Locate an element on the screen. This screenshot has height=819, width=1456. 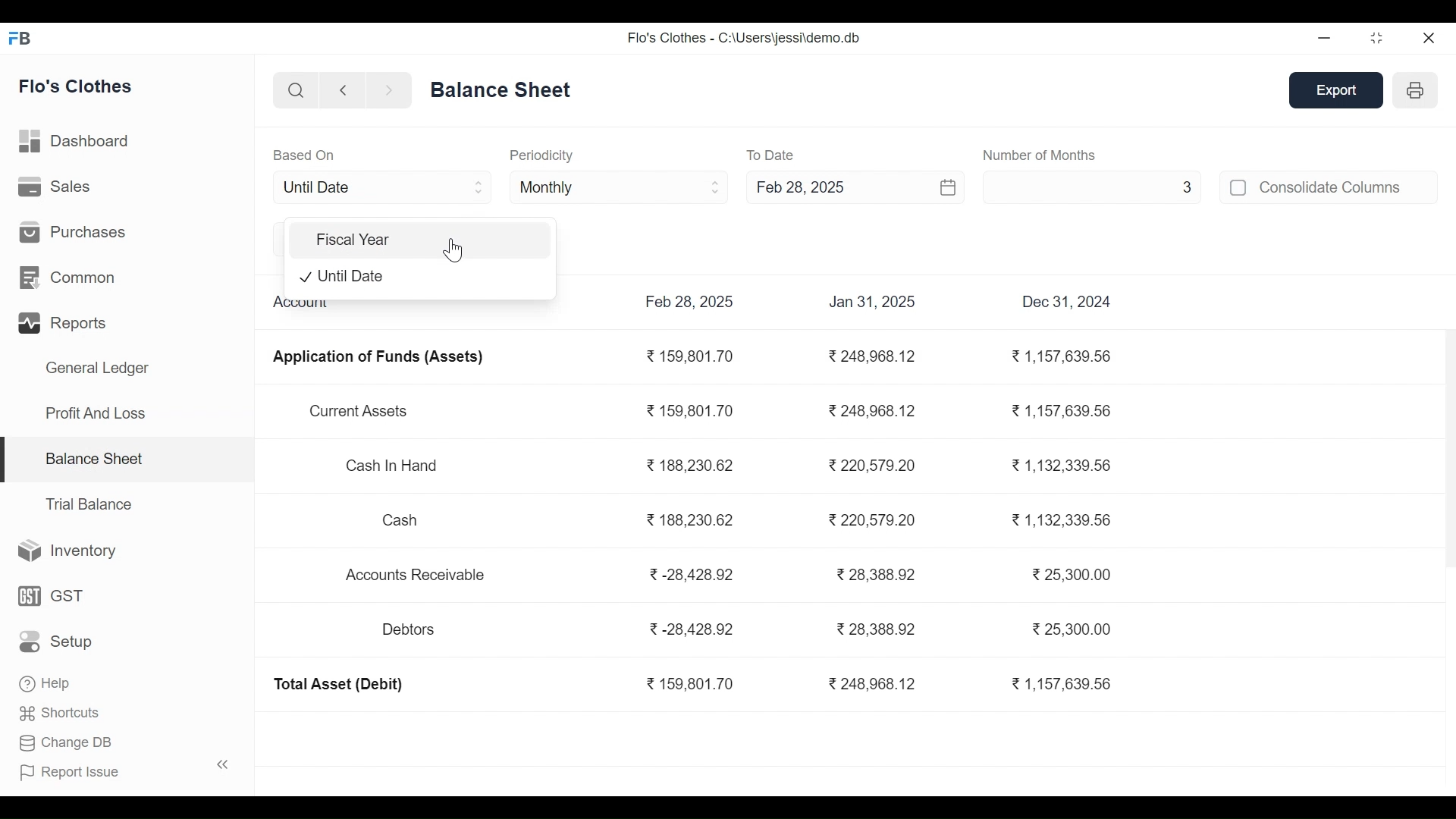
Balance Sheet is located at coordinates (93, 457).